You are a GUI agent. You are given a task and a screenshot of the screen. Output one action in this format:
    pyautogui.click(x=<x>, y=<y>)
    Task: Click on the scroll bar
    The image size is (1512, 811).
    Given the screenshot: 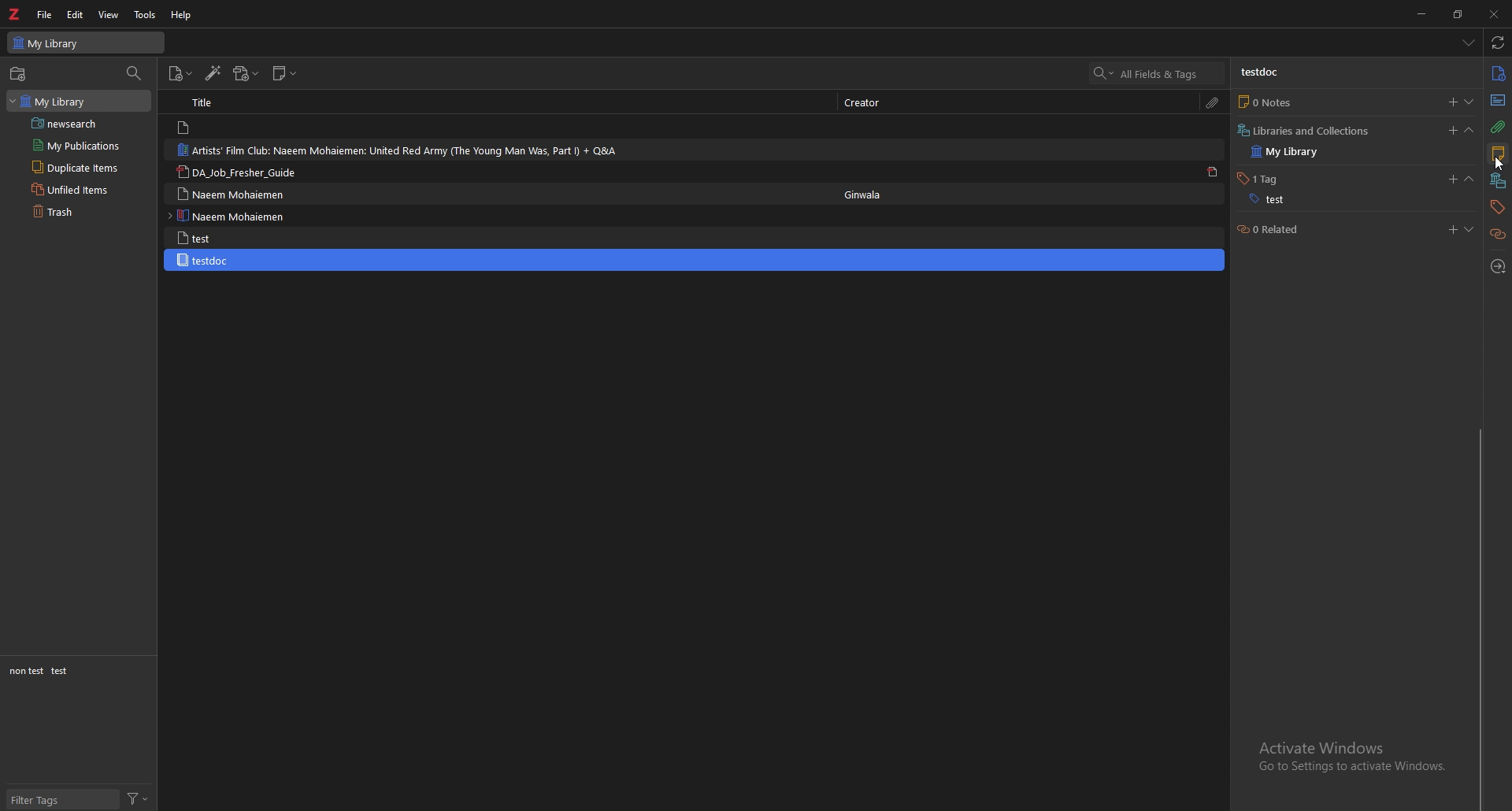 What is the action you would take?
    pyautogui.click(x=1482, y=619)
    